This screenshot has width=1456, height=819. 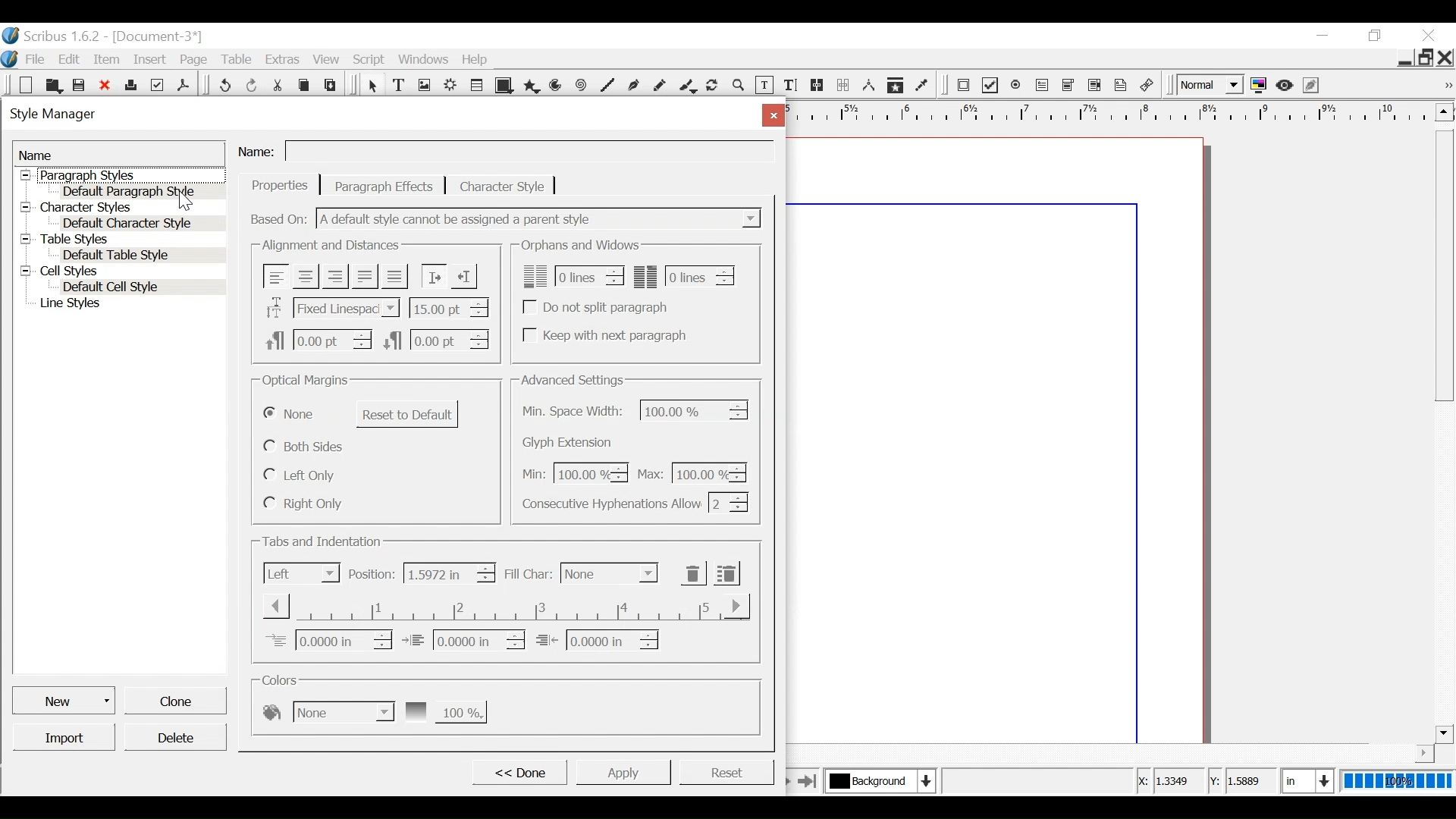 What do you see at coordinates (570, 276) in the screenshot?
I see `Ensure that the first line of the paragraph wont end up seperated` at bounding box center [570, 276].